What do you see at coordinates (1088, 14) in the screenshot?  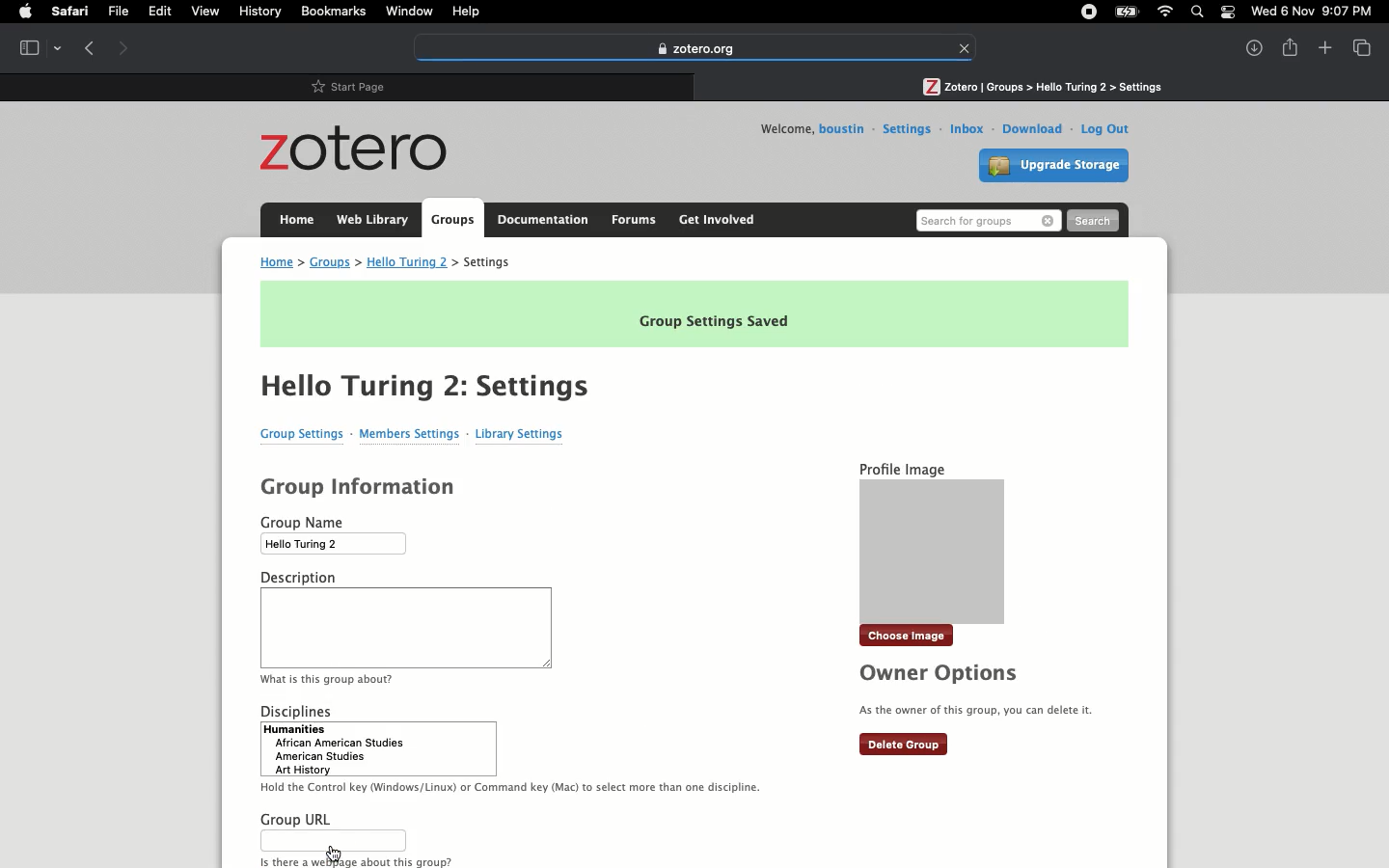 I see `Recording` at bounding box center [1088, 14].